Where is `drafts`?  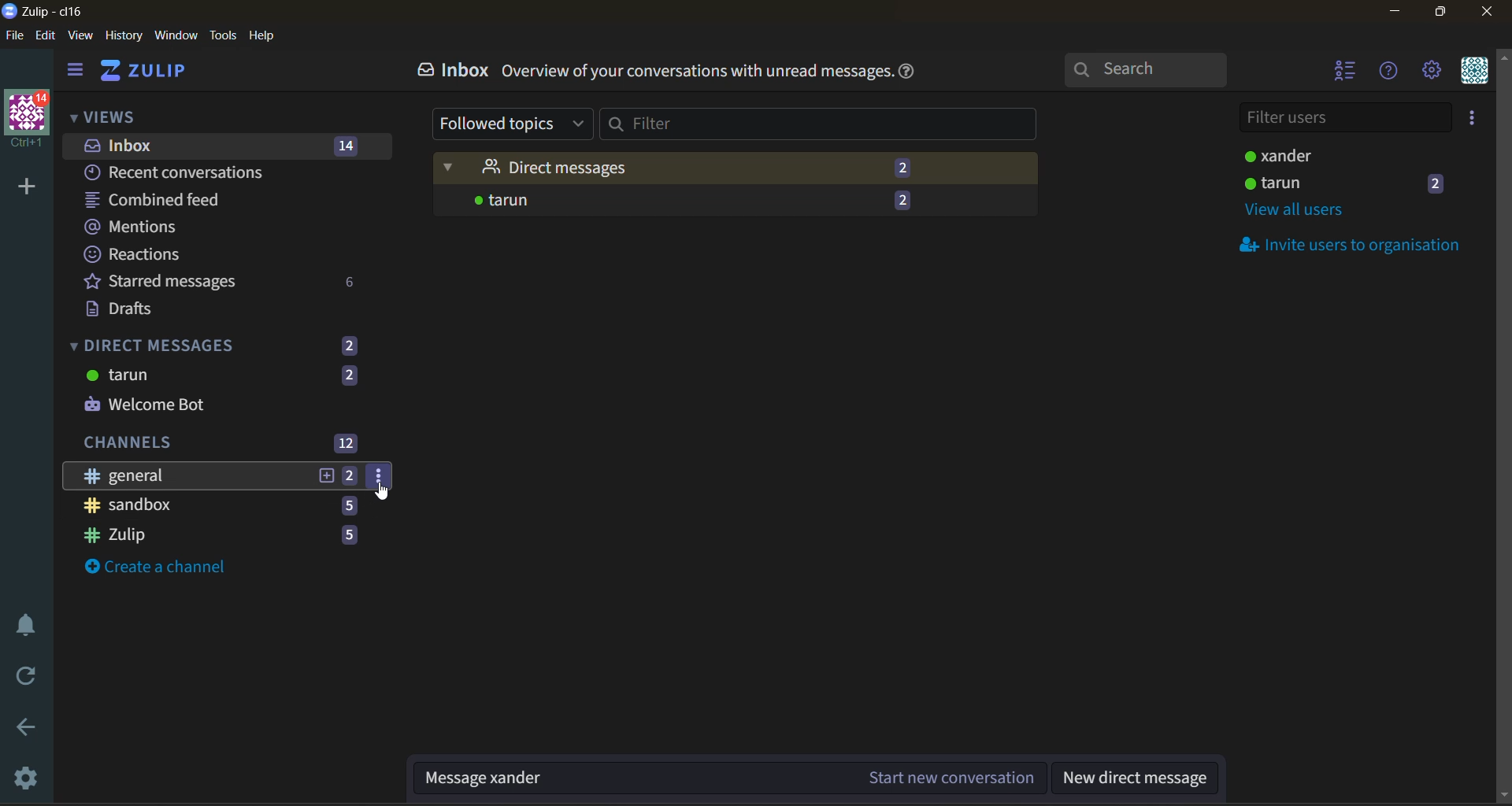 drafts is located at coordinates (171, 310).